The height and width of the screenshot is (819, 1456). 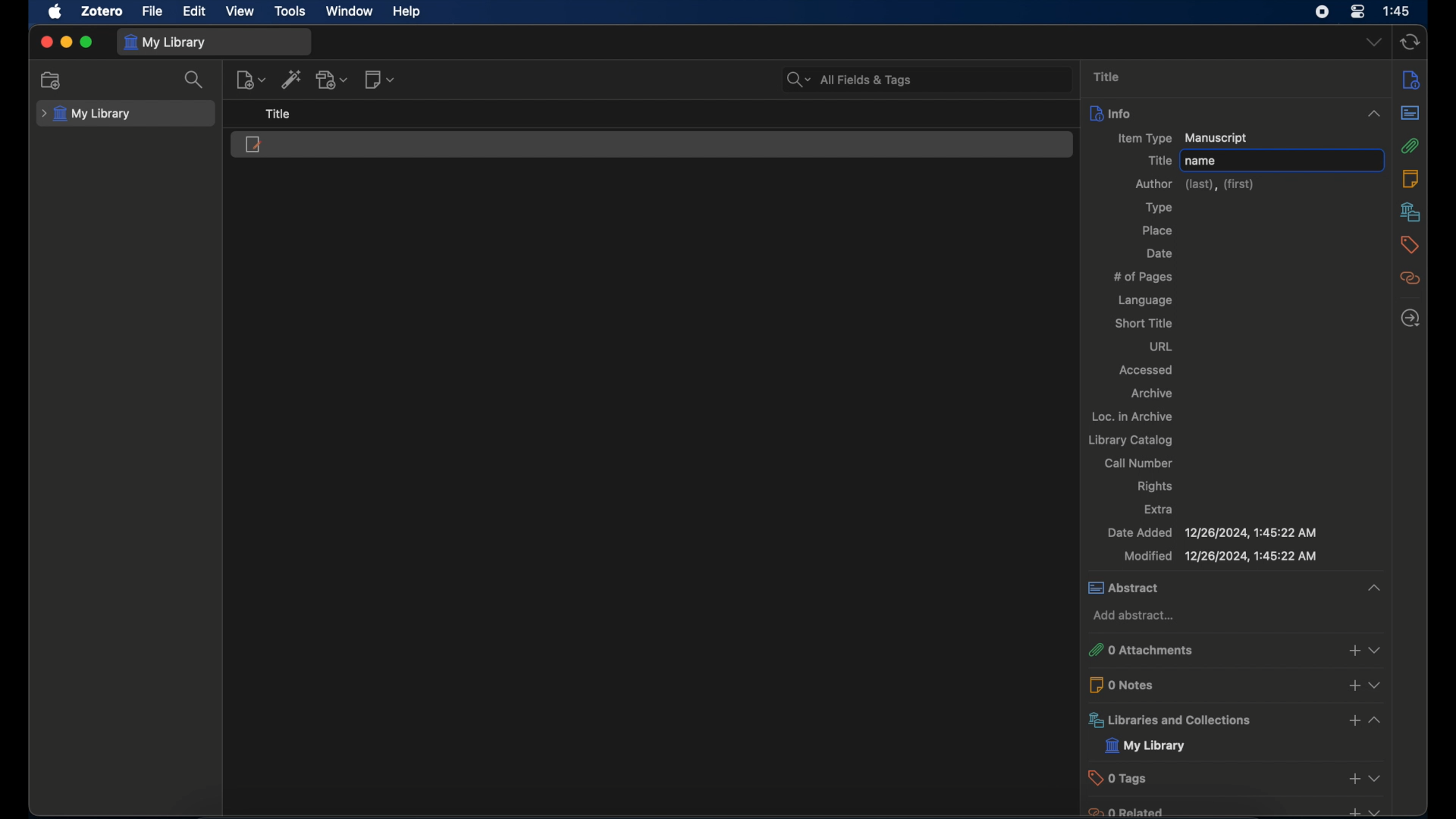 What do you see at coordinates (1159, 161) in the screenshot?
I see `title` at bounding box center [1159, 161].